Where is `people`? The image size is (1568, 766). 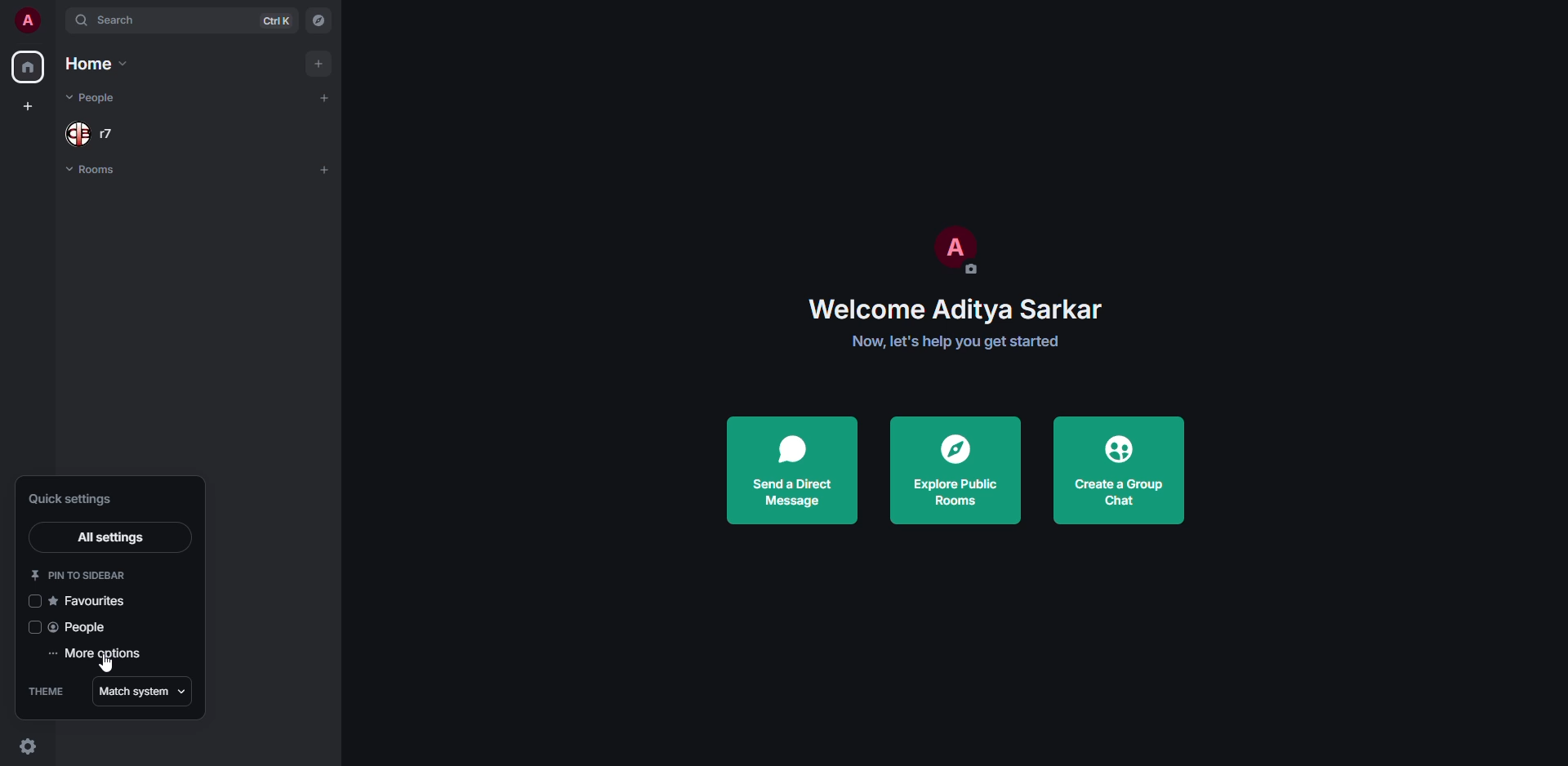 people is located at coordinates (95, 96).